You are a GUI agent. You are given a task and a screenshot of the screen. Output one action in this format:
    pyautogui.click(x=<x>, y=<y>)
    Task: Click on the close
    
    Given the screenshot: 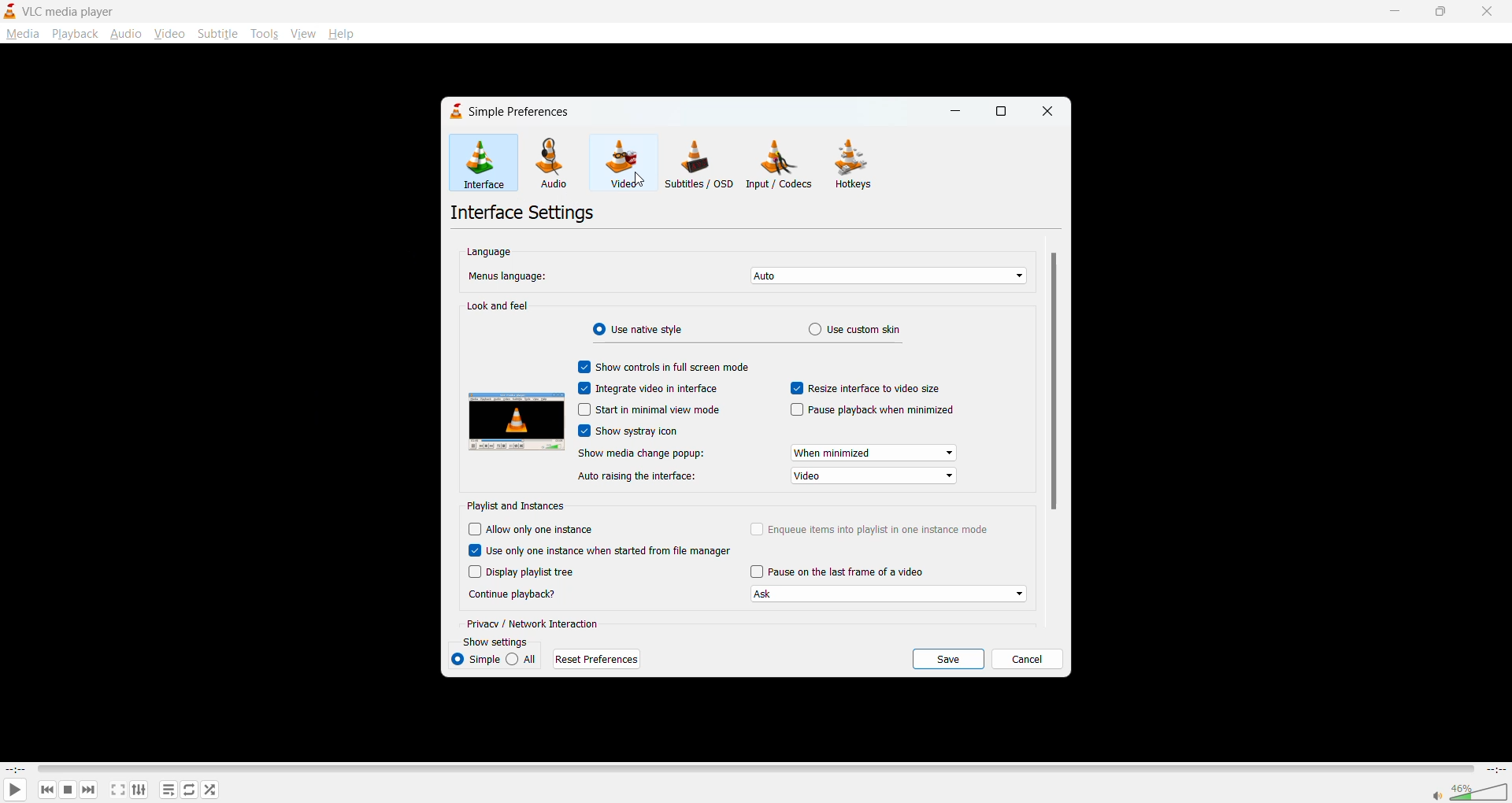 What is the action you would take?
    pyautogui.click(x=1048, y=112)
    